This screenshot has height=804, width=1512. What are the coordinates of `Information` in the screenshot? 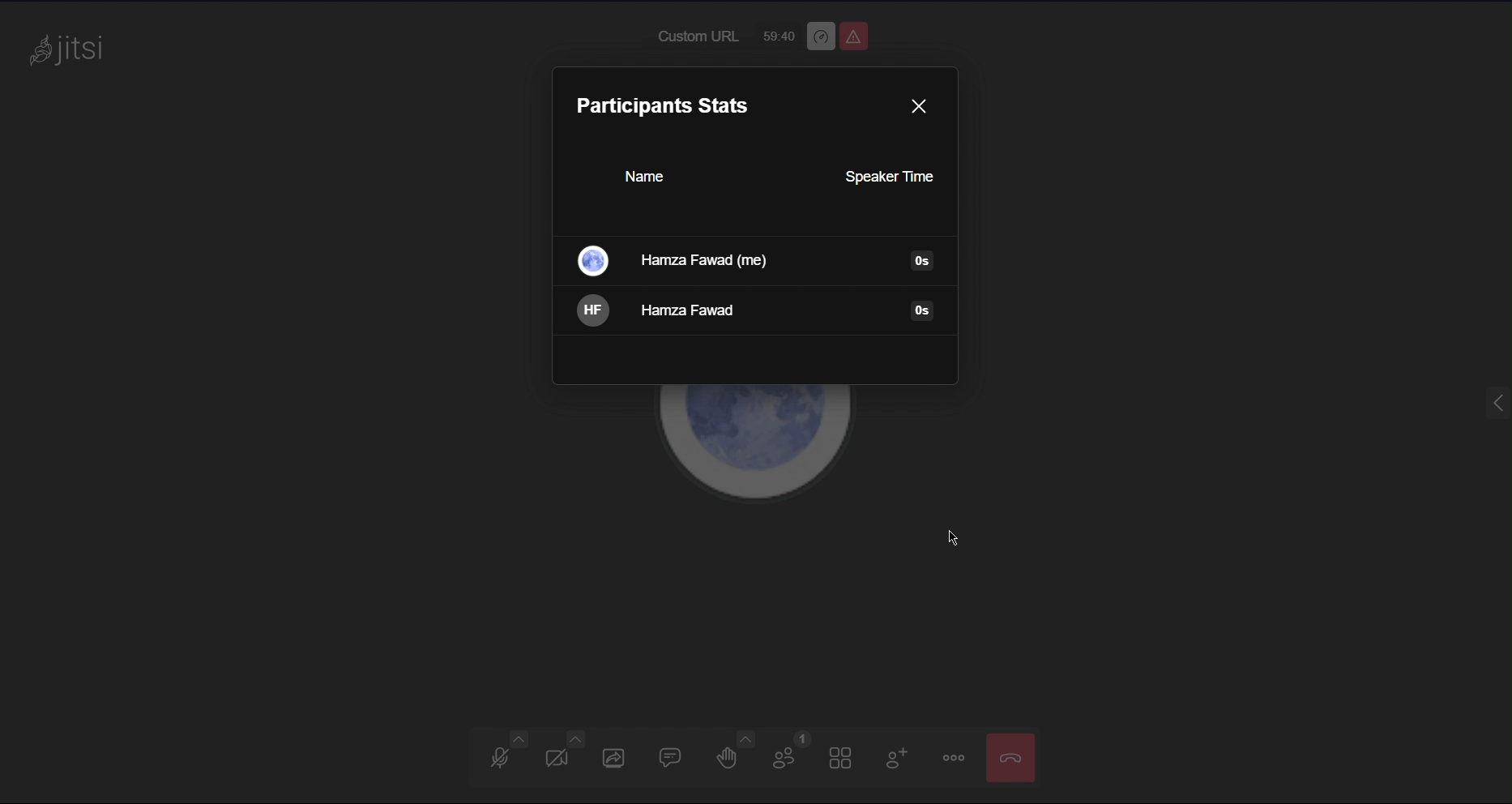 It's located at (917, 312).